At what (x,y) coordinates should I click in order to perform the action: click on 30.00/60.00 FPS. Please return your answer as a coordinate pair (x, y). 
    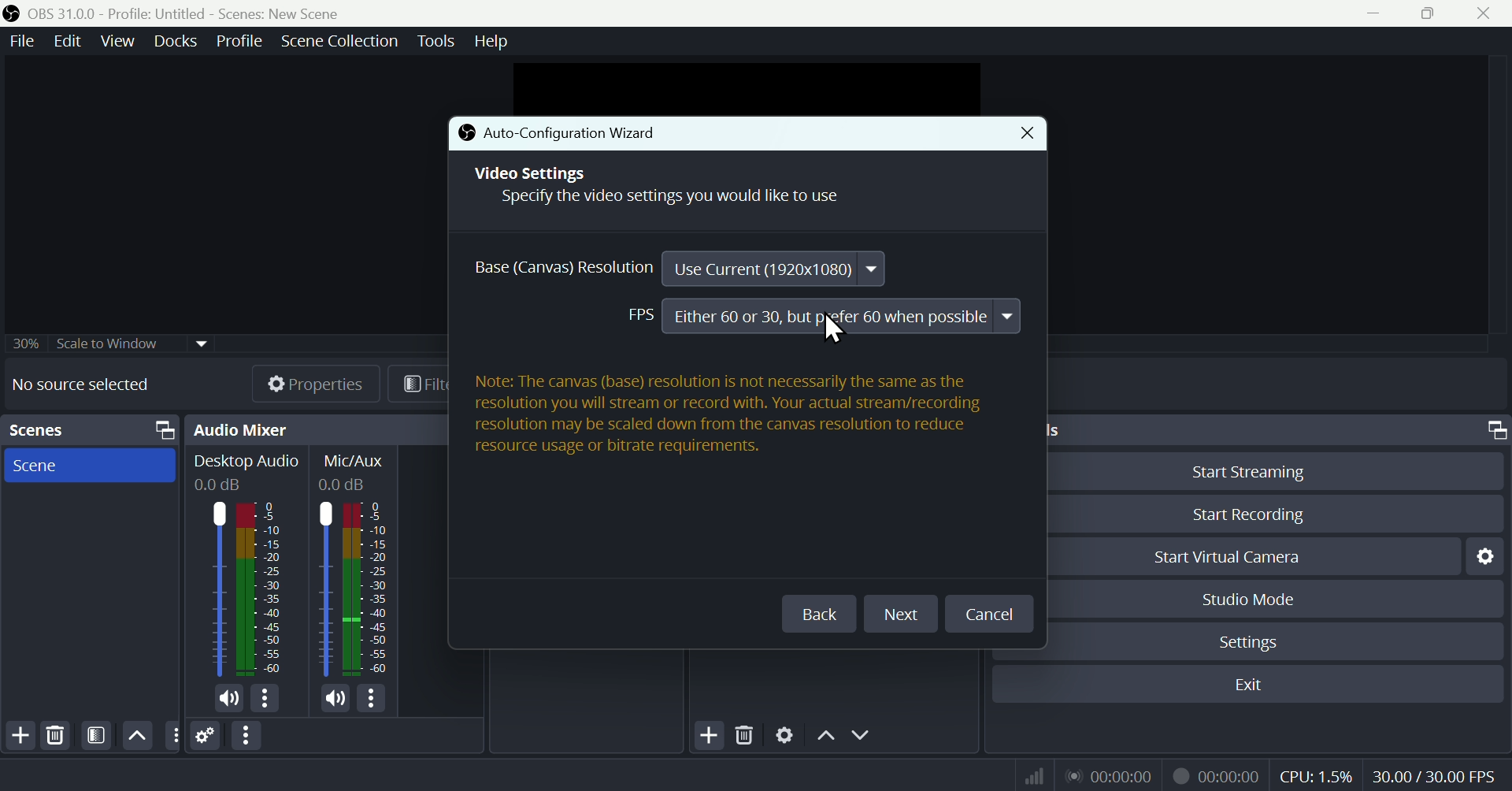
    Looking at the image, I should click on (1438, 772).